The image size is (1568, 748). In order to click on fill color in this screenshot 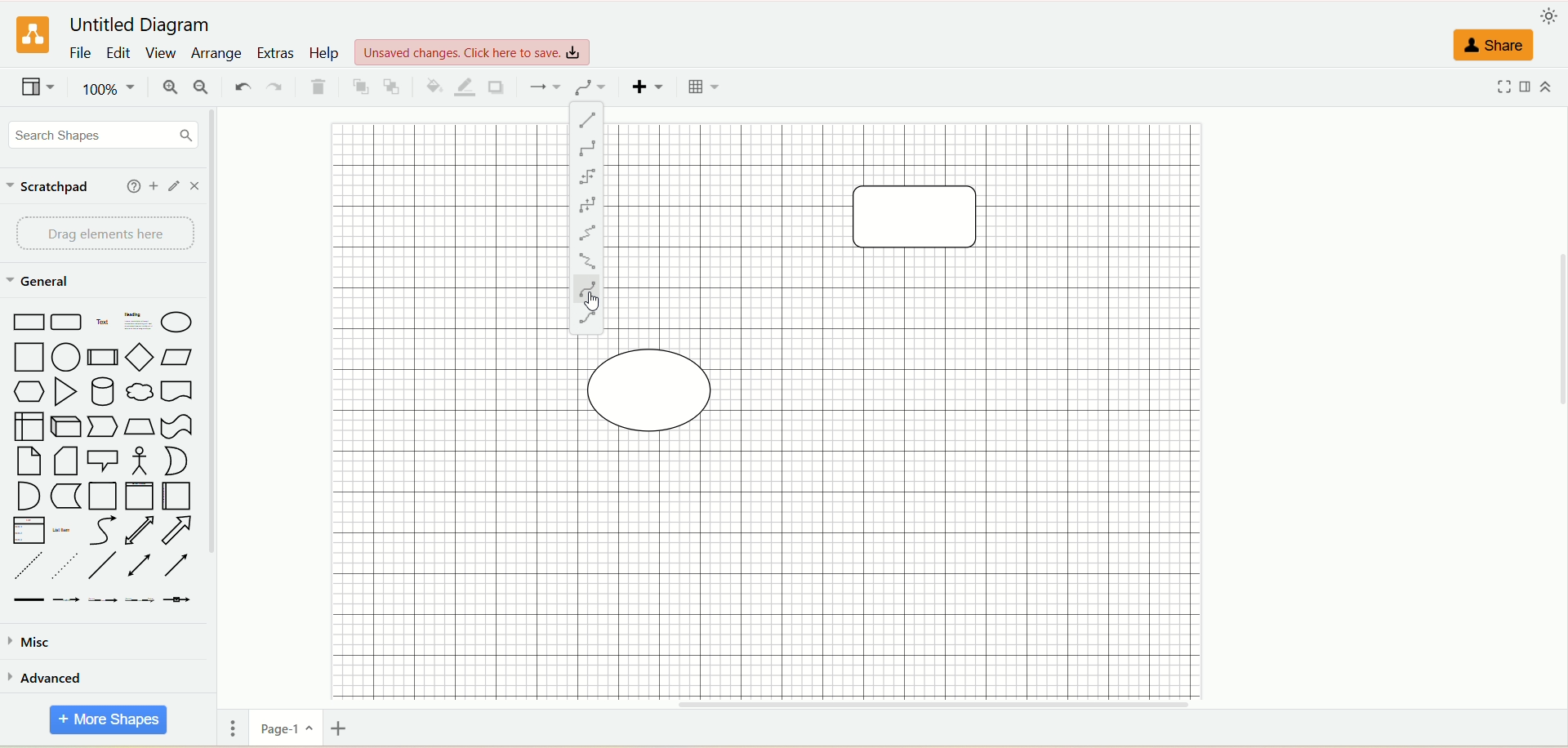, I will do `click(432, 86)`.